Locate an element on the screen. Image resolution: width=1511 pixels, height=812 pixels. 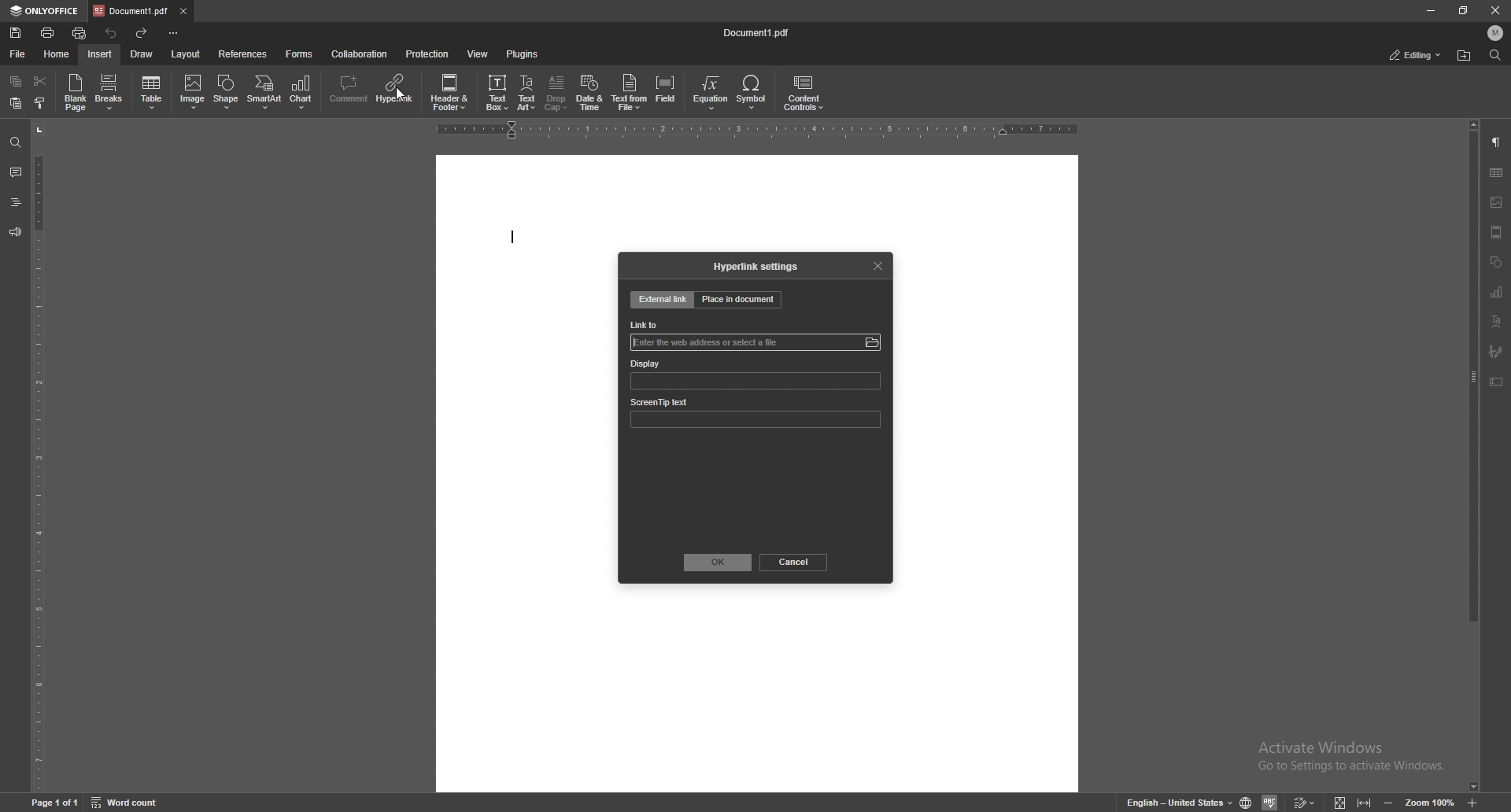
image is located at coordinates (191, 93).